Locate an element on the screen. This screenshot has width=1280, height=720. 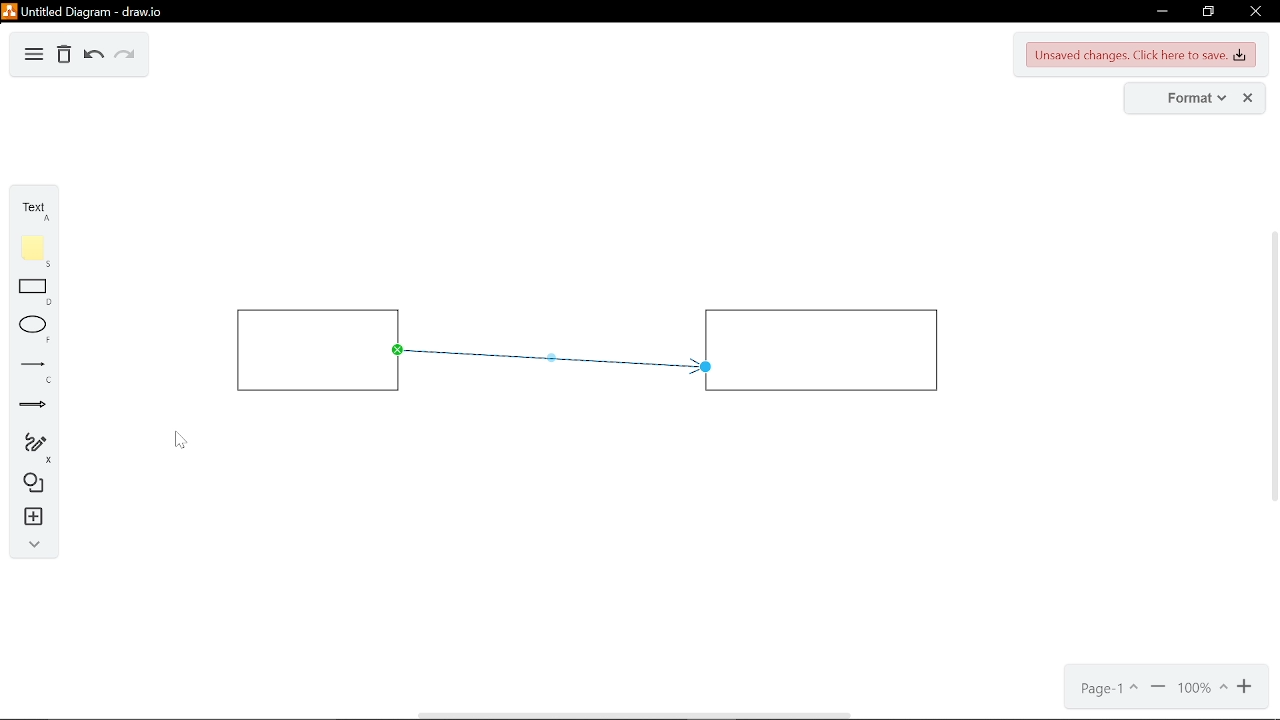
shapes is located at coordinates (30, 482).